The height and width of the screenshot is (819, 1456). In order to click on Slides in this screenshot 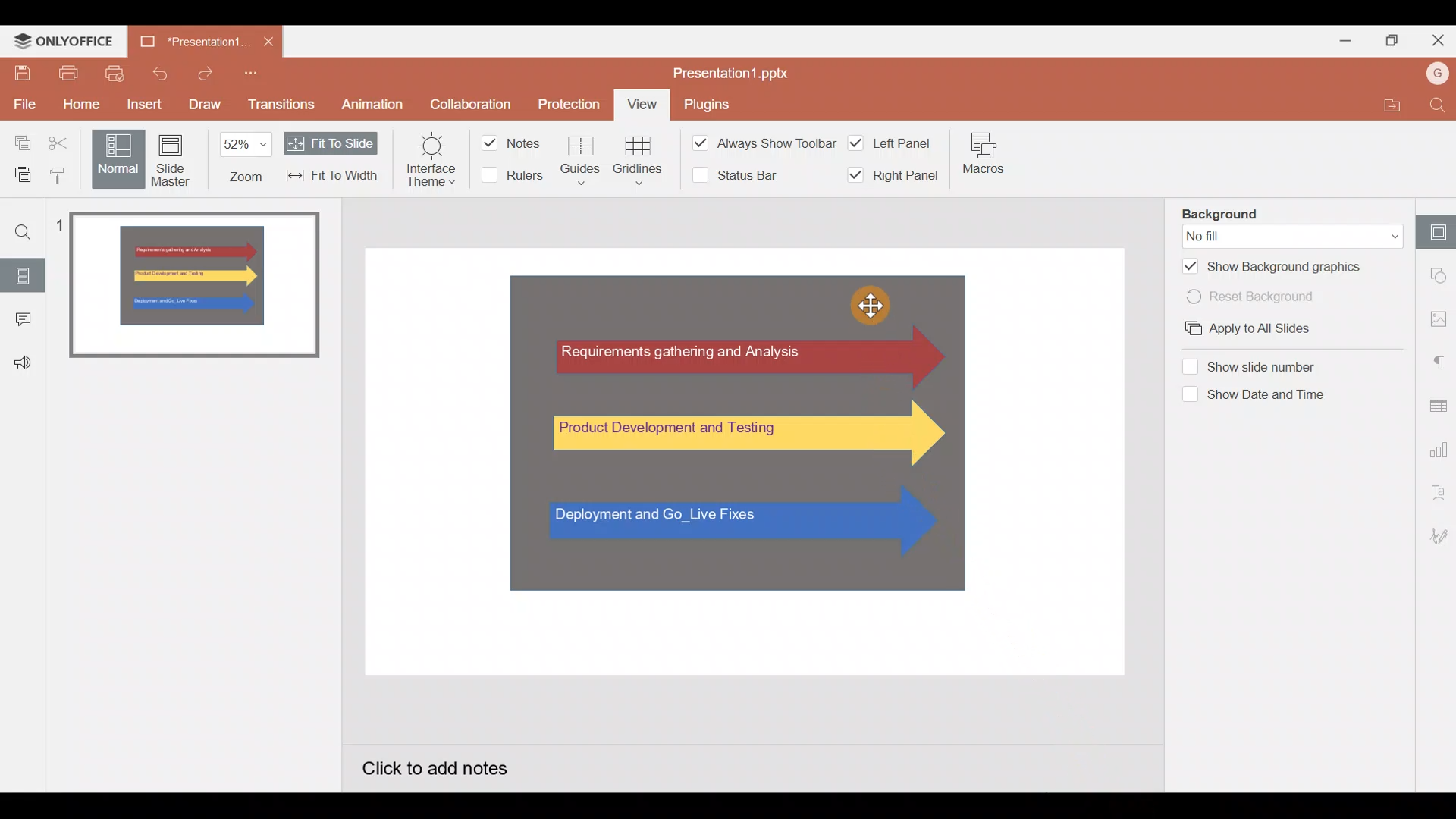, I will do `click(24, 272)`.